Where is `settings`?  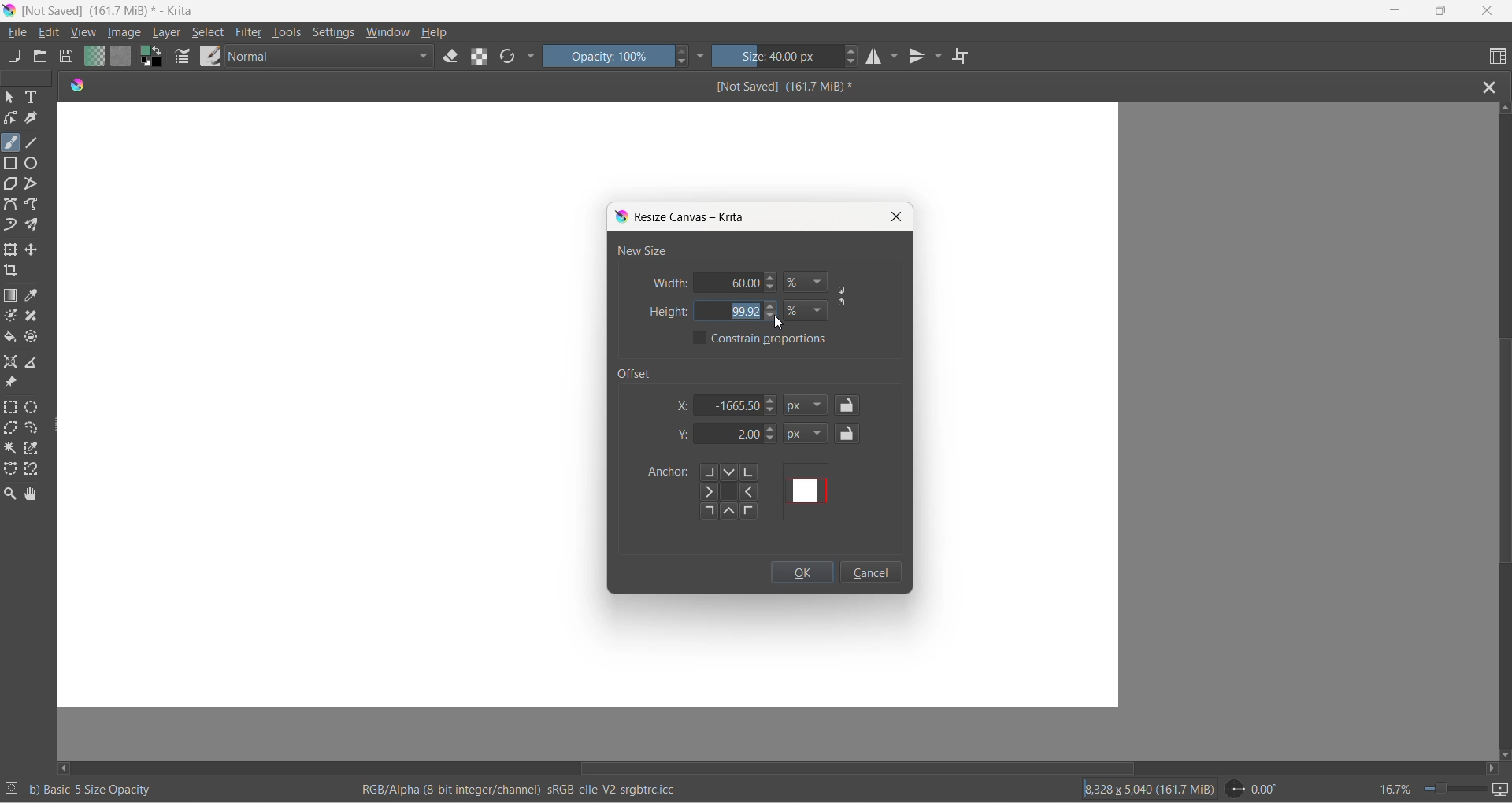
settings is located at coordinates (337, 34).